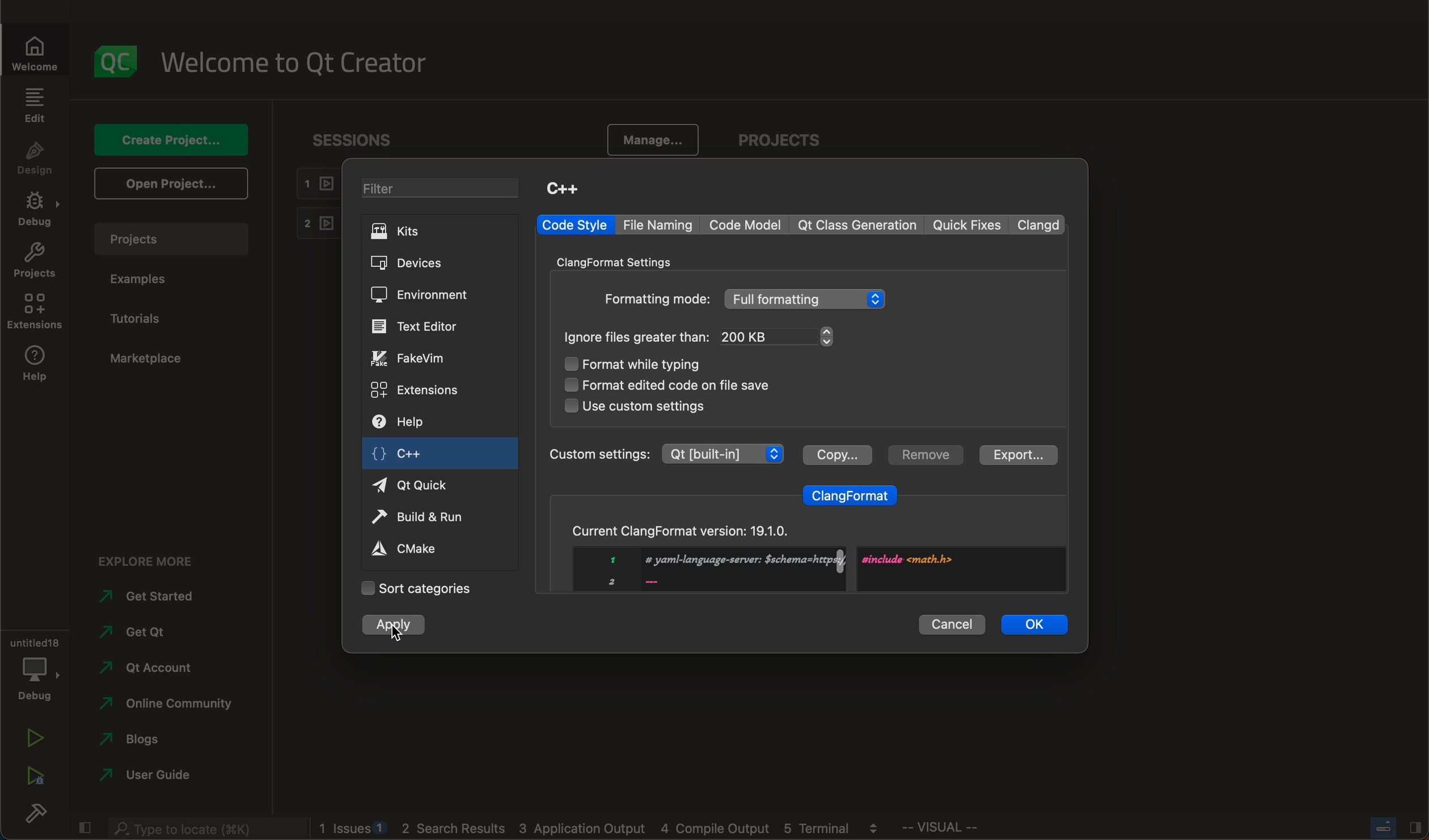 The image size is (1429, 840). I want to click on filter, so click(445, 190).